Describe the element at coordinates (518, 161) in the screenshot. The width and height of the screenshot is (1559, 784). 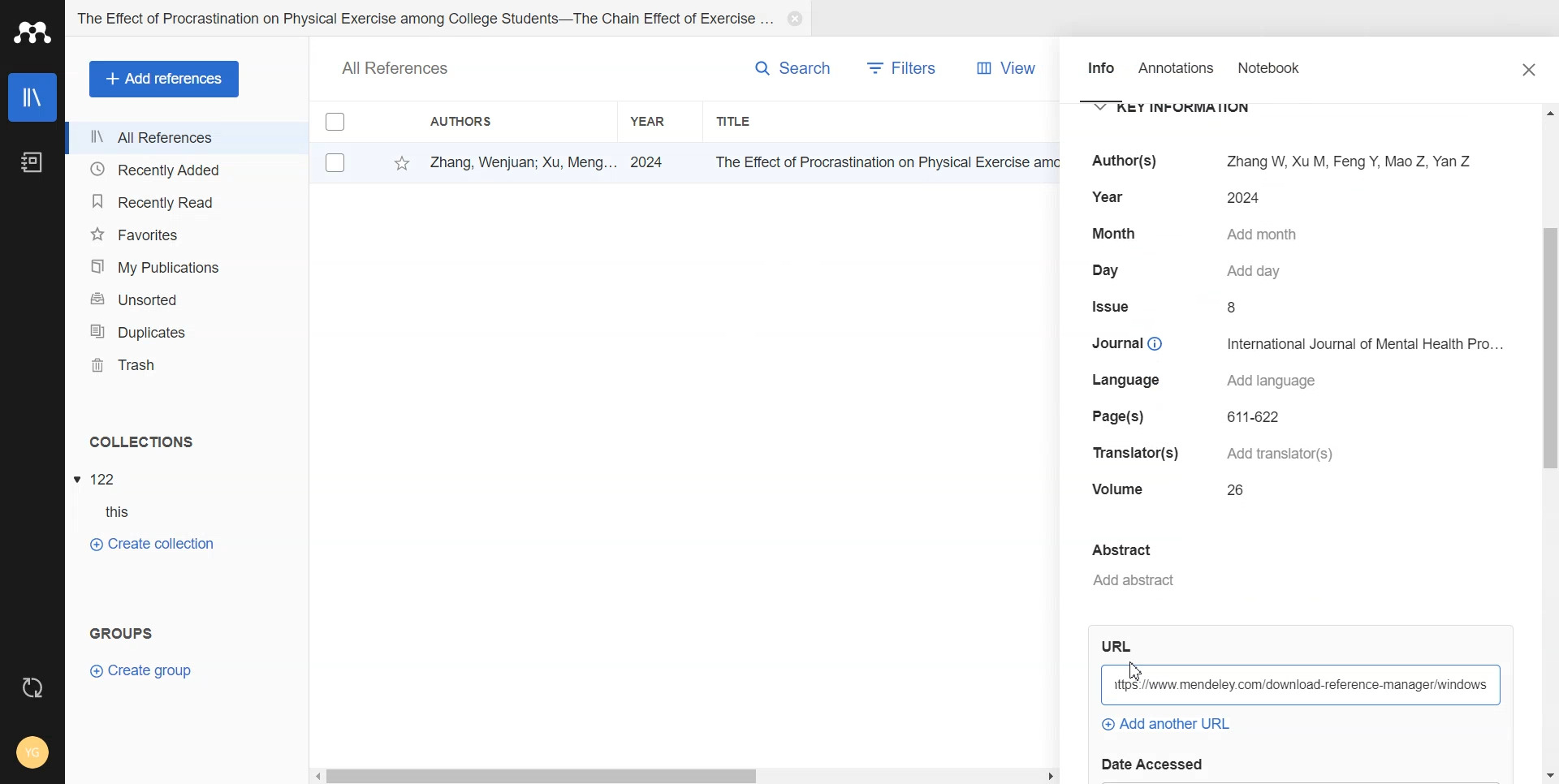
I see `Zhang, Wenjuan; Xu, Meng...` at that location.